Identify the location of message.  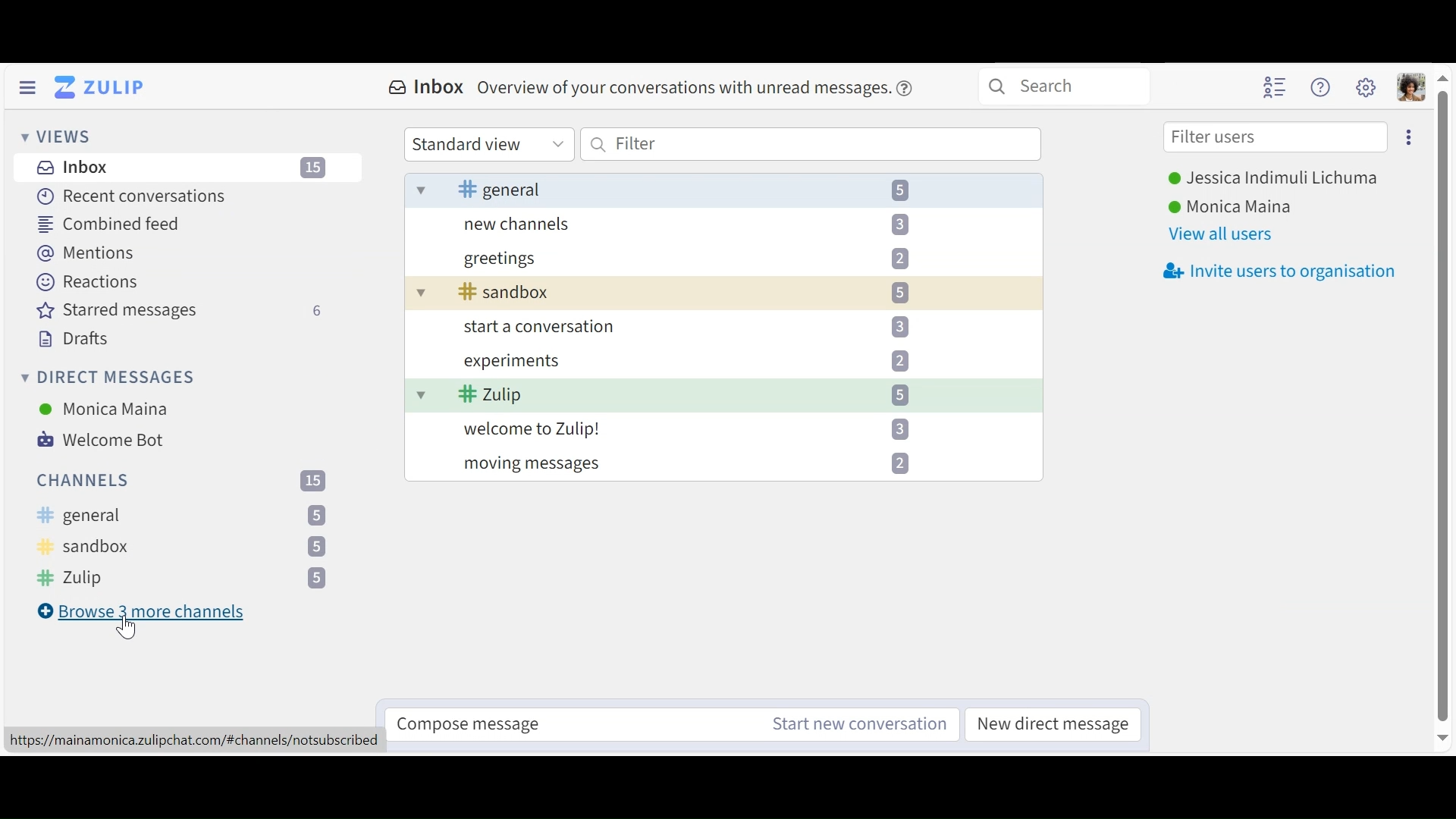
(684, 88).